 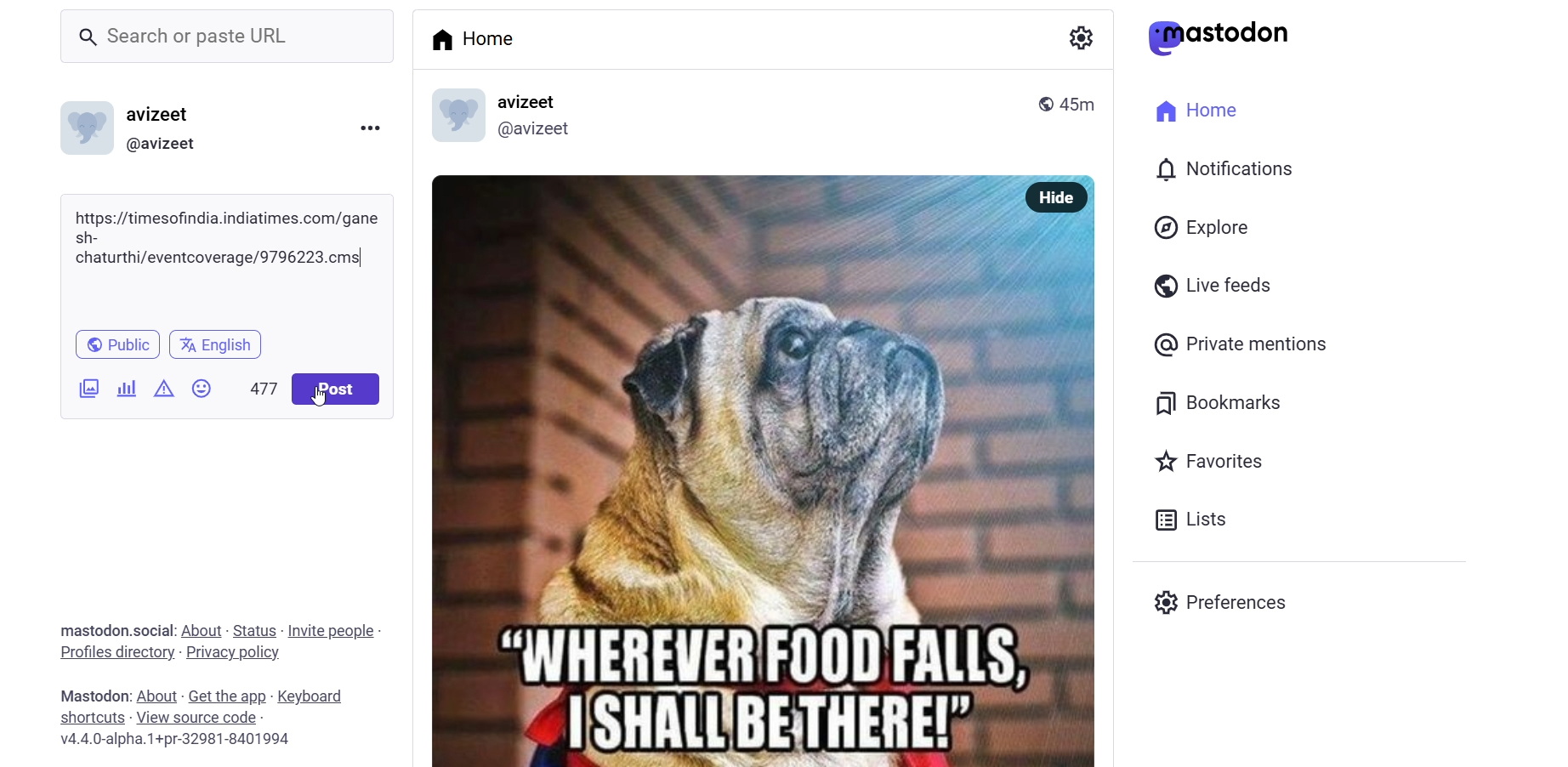 I want to click on Lists, so click(x=1197, y=523).